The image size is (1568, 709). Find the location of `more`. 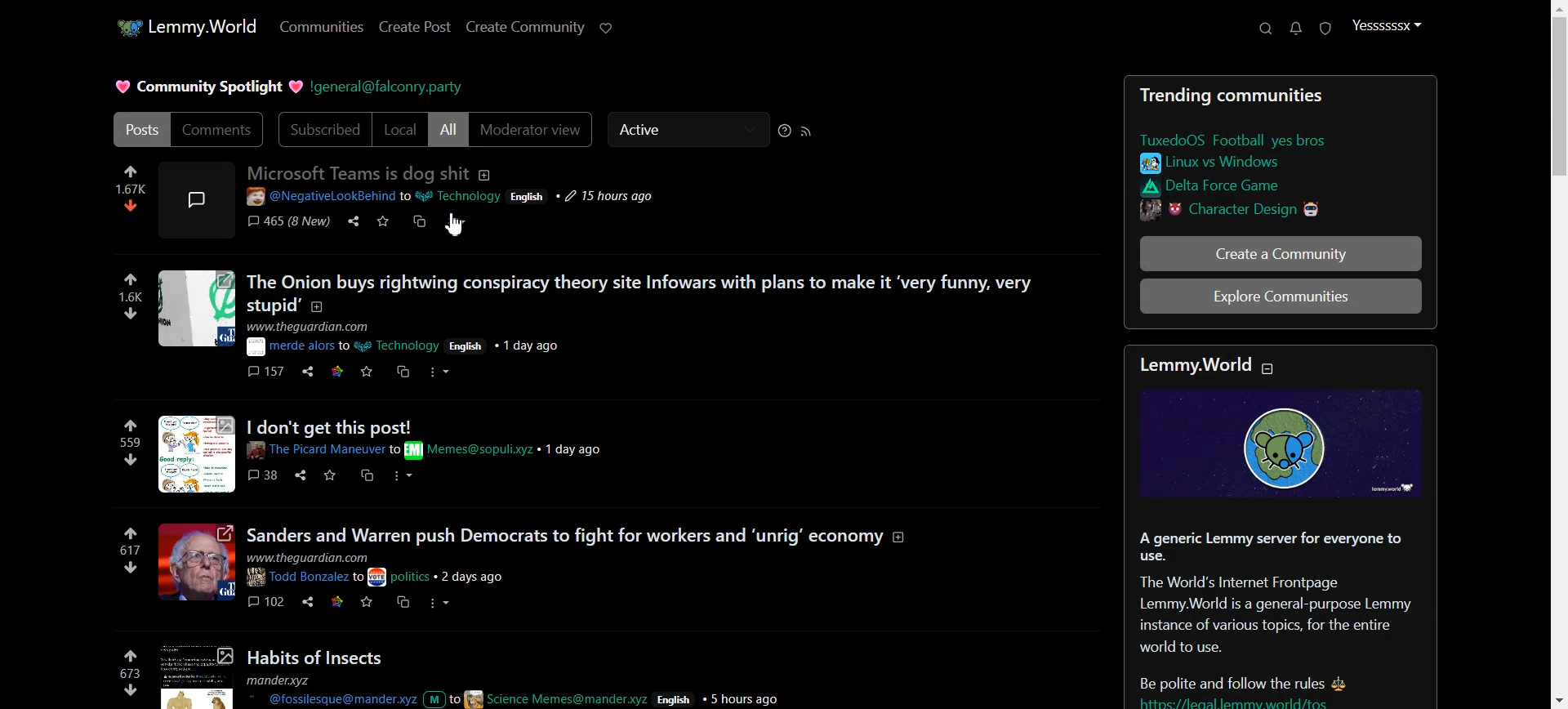

more is located at coordinates (403, 475).